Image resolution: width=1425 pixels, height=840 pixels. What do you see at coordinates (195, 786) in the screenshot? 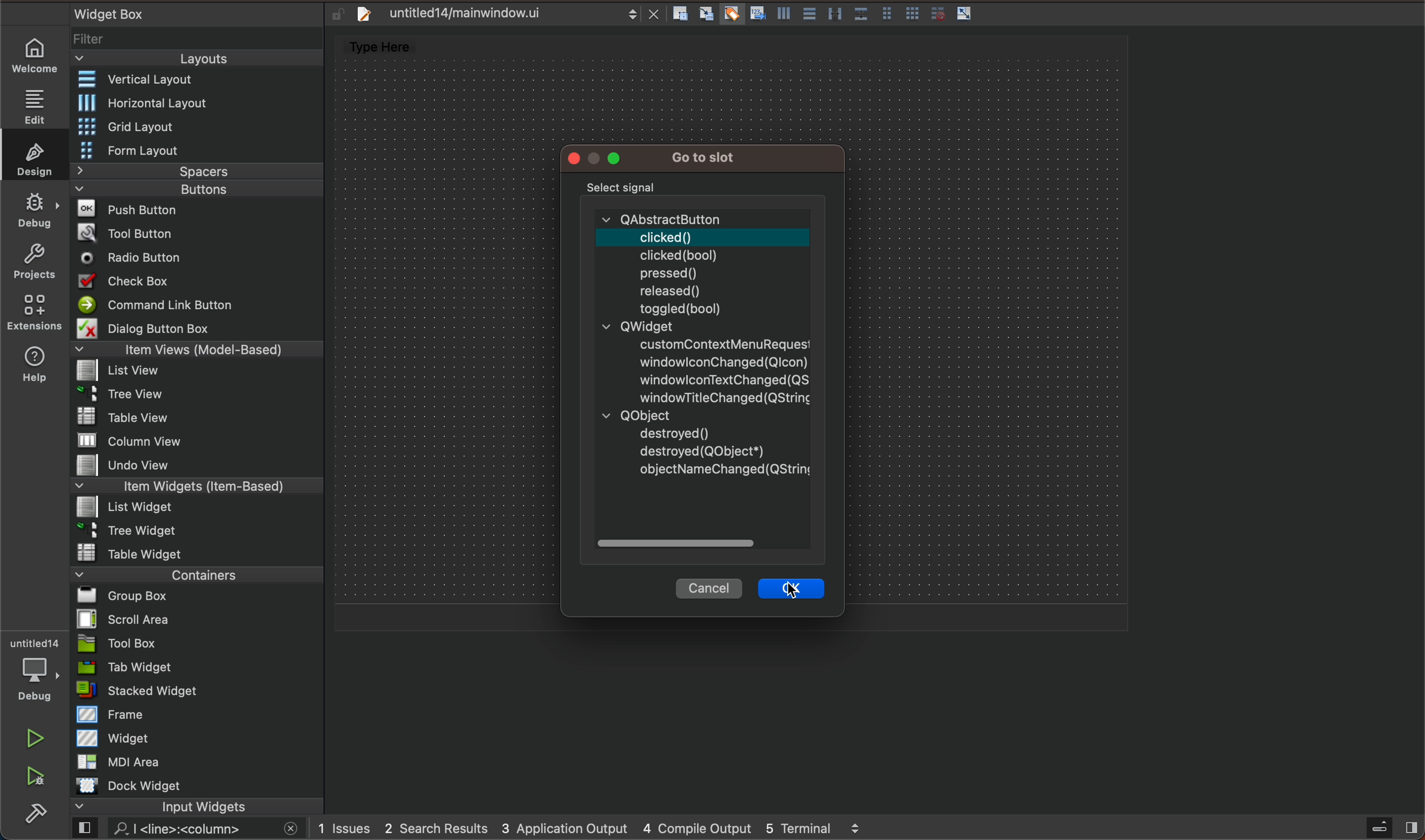
I see `dock widget` at bounding box center [195, 786].